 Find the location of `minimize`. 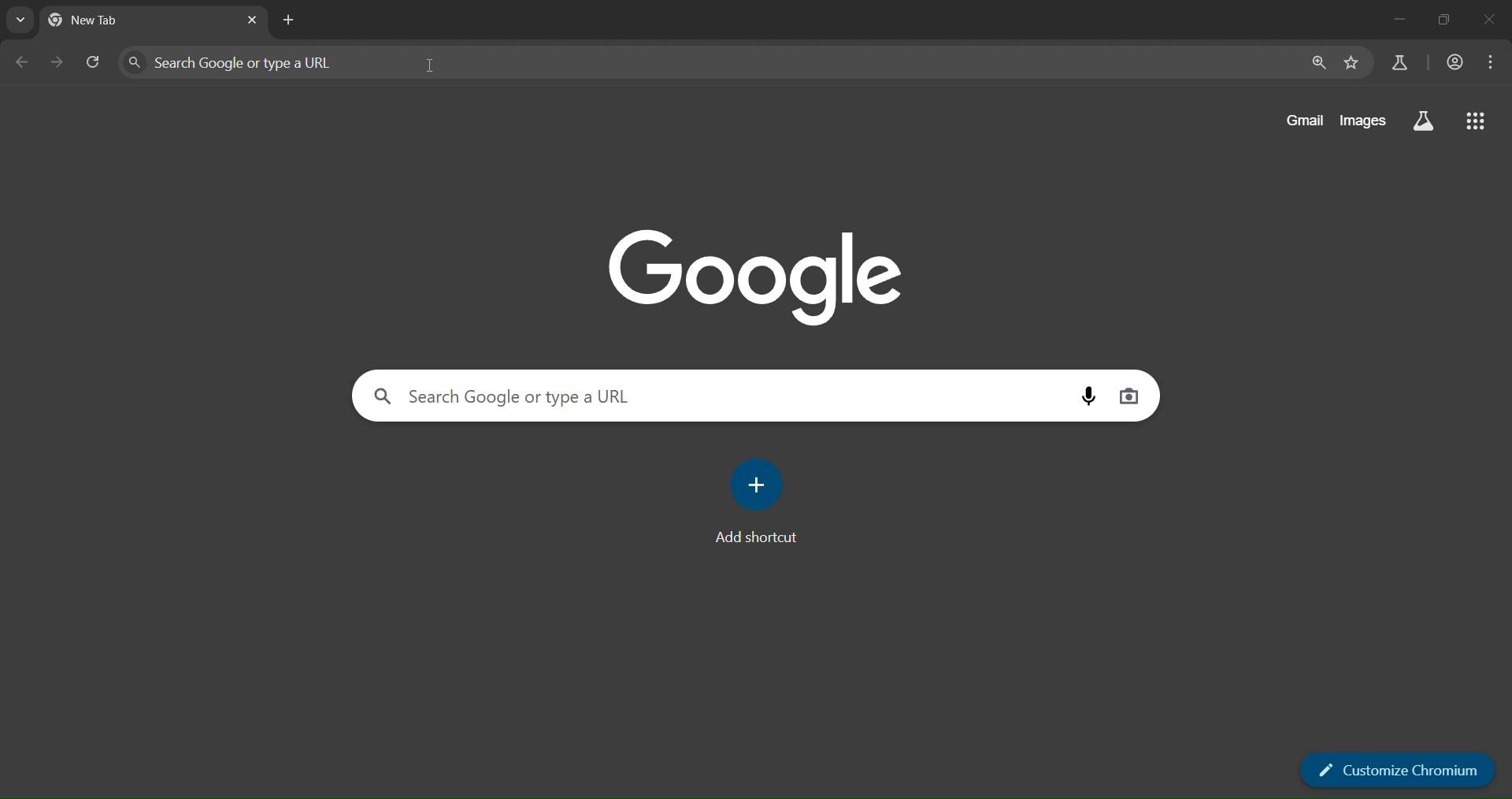

minimize is located at coordinates (1394, 21).